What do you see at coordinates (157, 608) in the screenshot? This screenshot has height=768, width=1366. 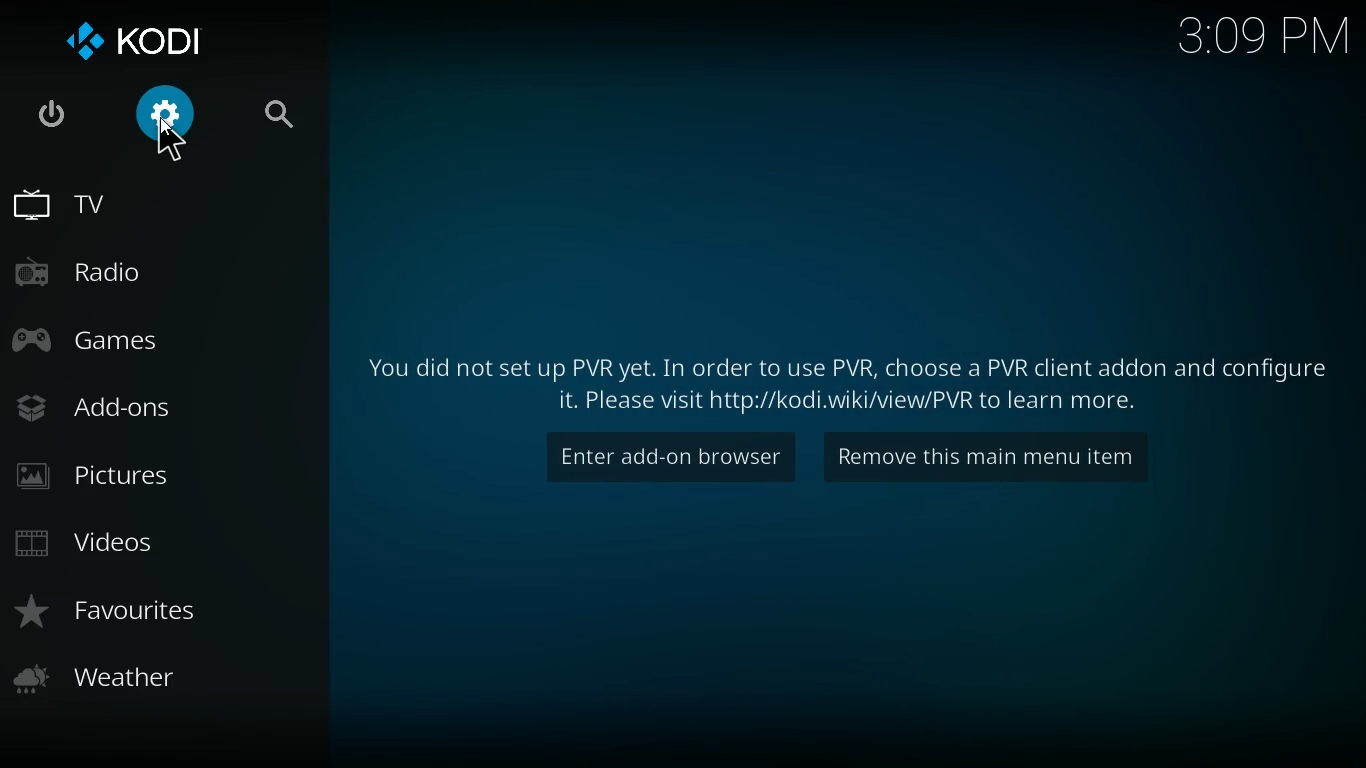 I see `favourites` at bounding box center [157, 608].